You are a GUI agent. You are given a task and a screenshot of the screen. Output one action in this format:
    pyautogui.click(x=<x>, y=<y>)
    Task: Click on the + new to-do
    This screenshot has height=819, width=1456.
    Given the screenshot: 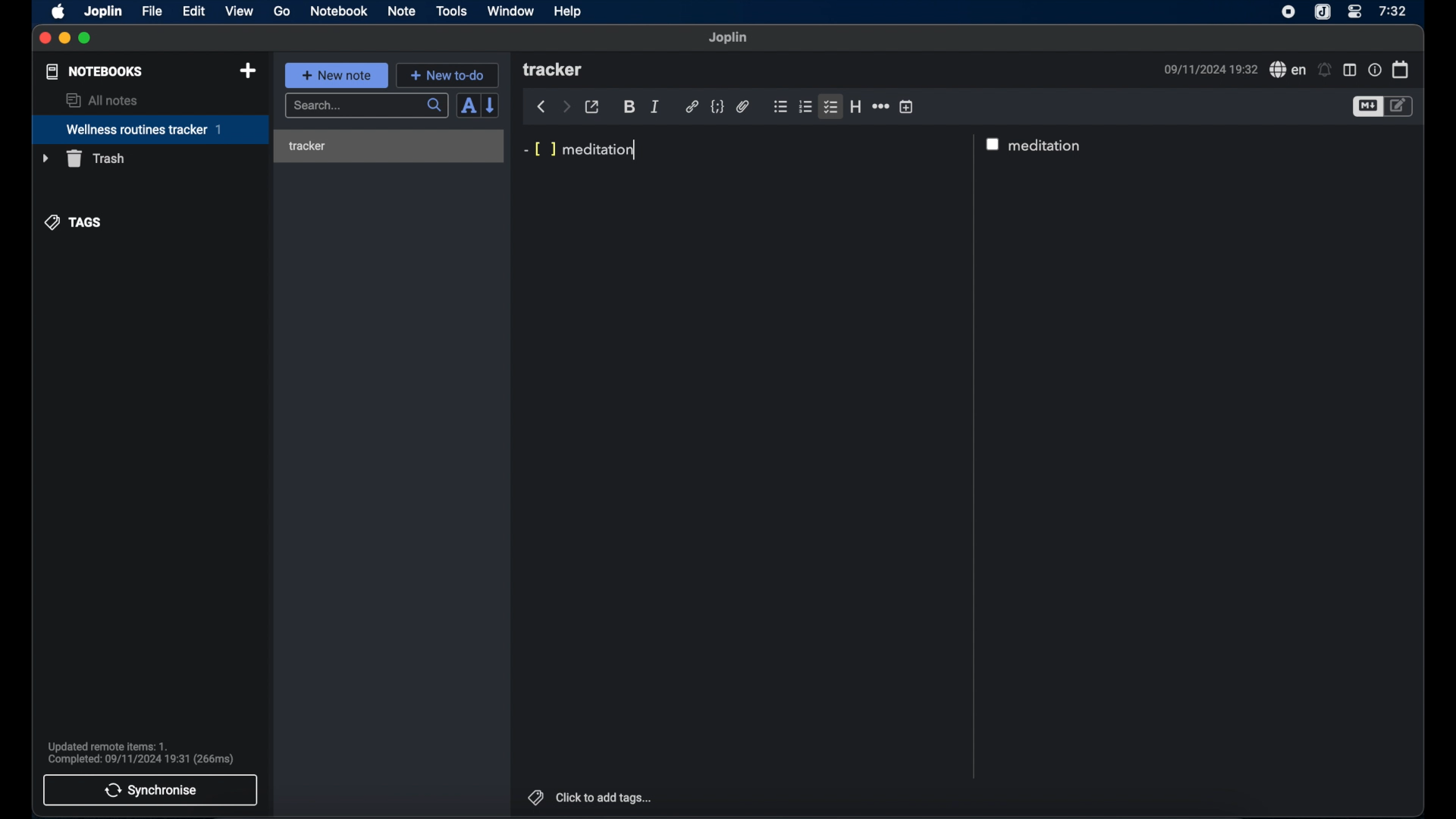 What is the action you would take?
    pyautogui.click(x=447, y=74)
    